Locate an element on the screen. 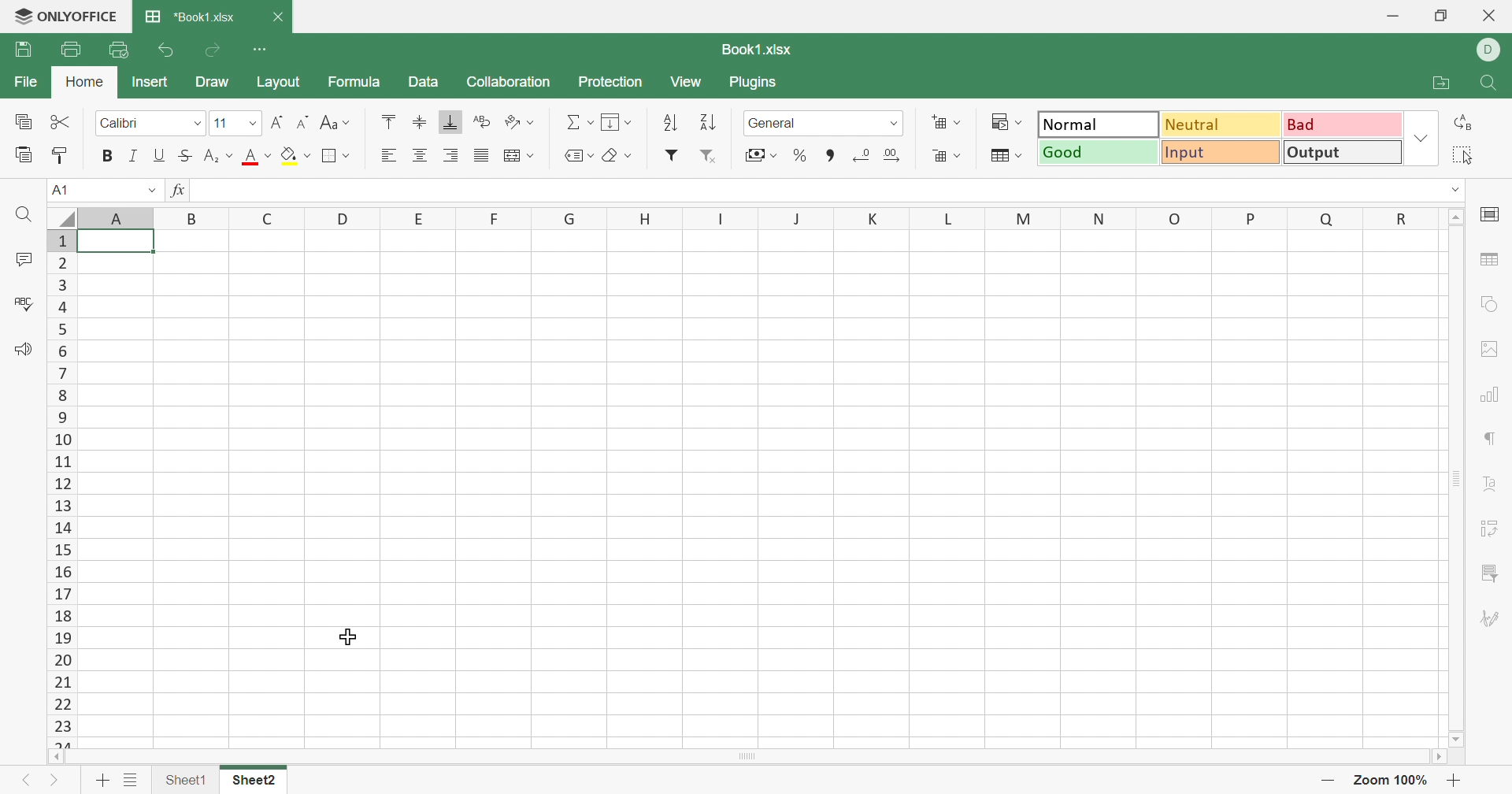 Image resolution: width=1512 pixels, height=794 pixels. Draw is located at coordinates (212, 81).